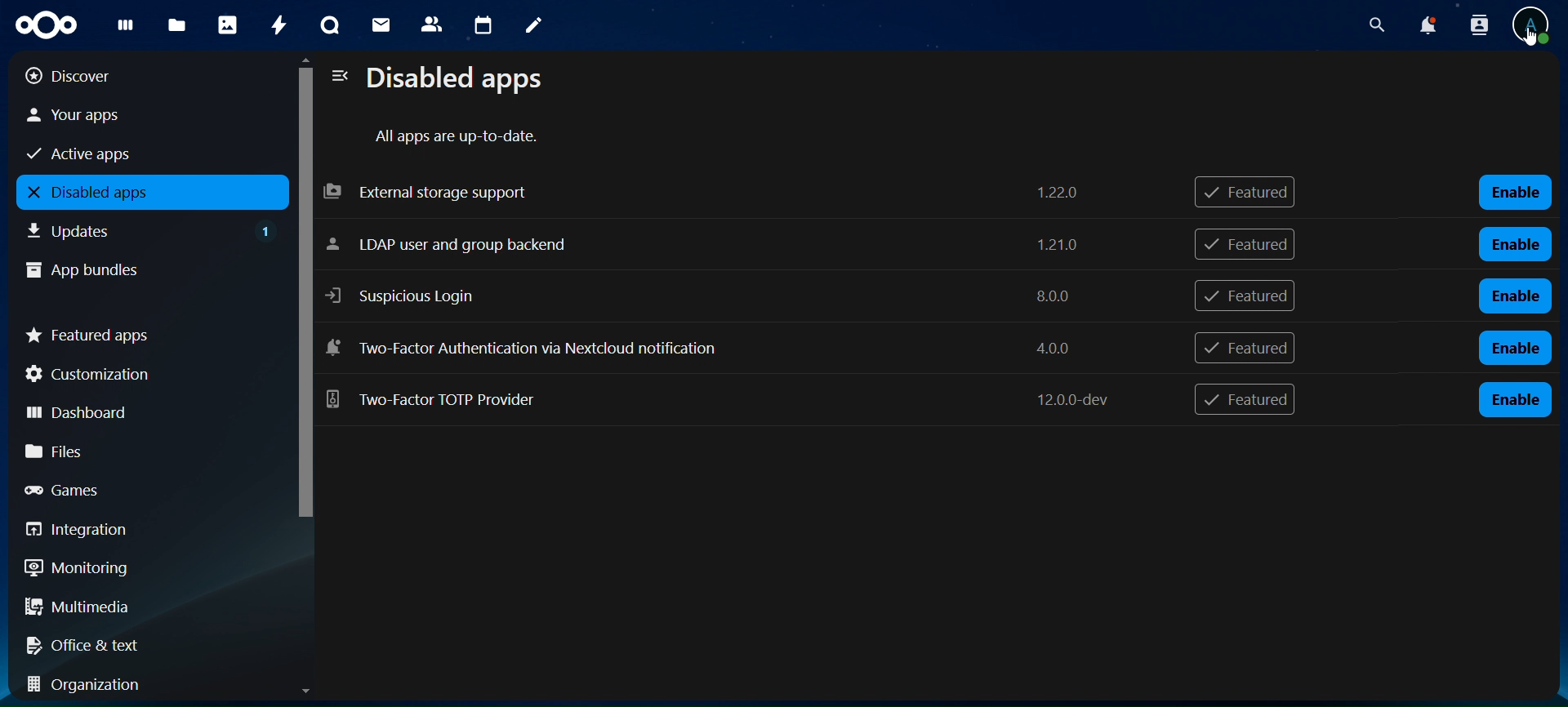 The width and height of the screenshot is (1568, 707). What do you see at coordinates (139, 410) in the screenshot?
I see `dashboard` at bounding box center [139, 410].